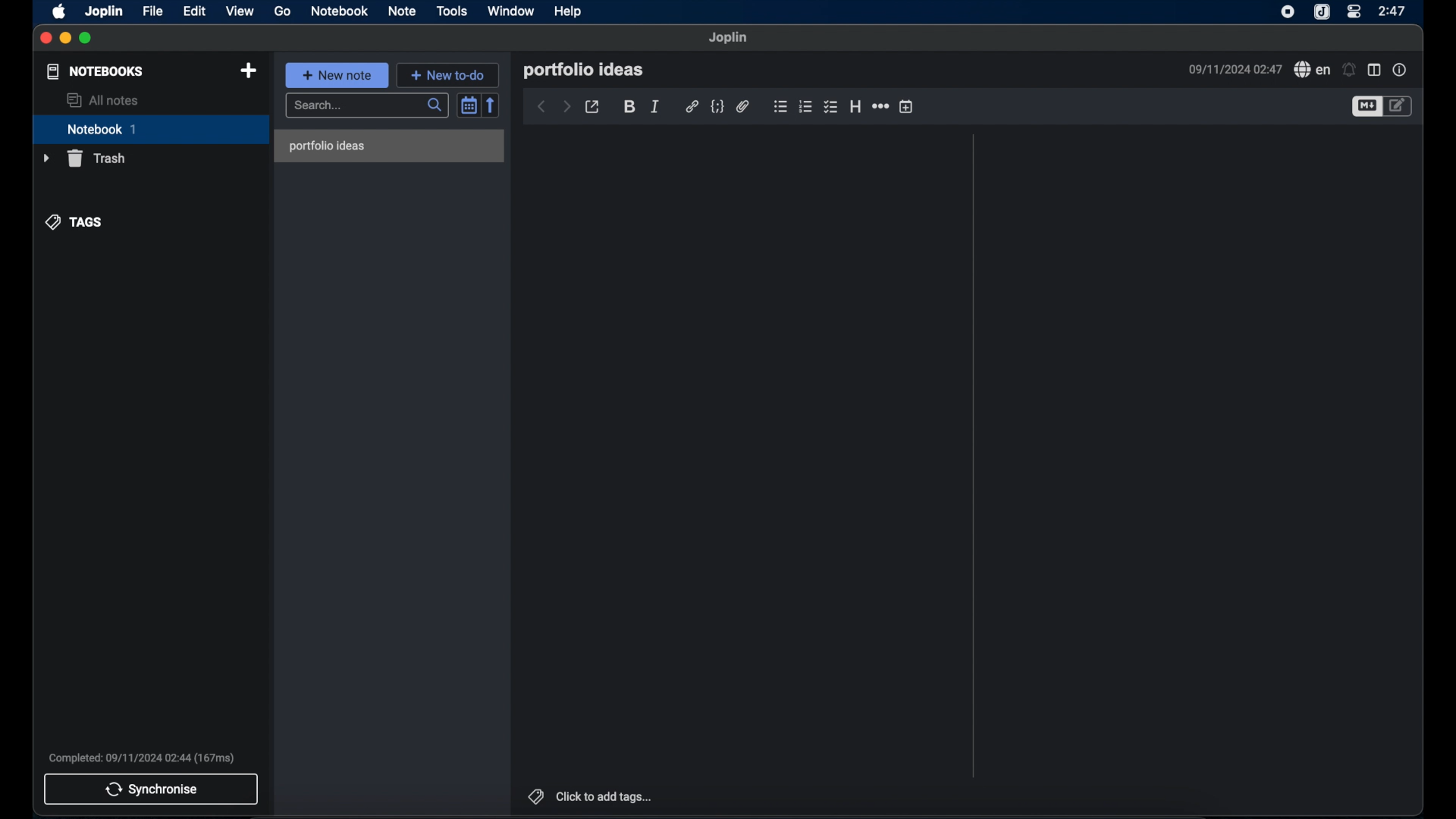 This screenshot has width=1456, height=819. I want to click on 09/11/2024 02:47, so click(1231, 68).